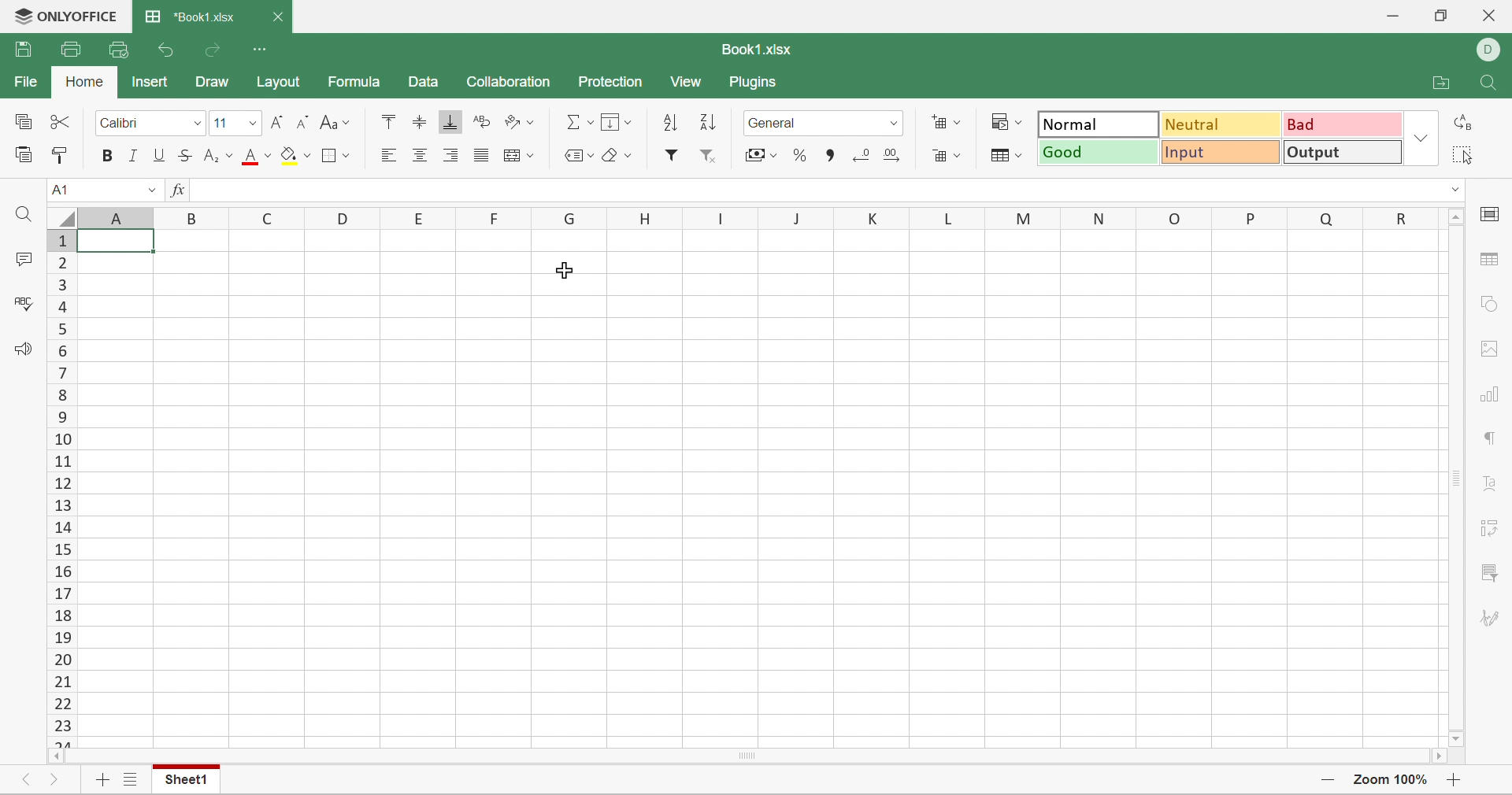 The width and height of the screenshot is (1512, 795). What do you see at coordinates (1006, 155) in the screenshot?
I see `Format as table template` at bounding box center [1006, 155].